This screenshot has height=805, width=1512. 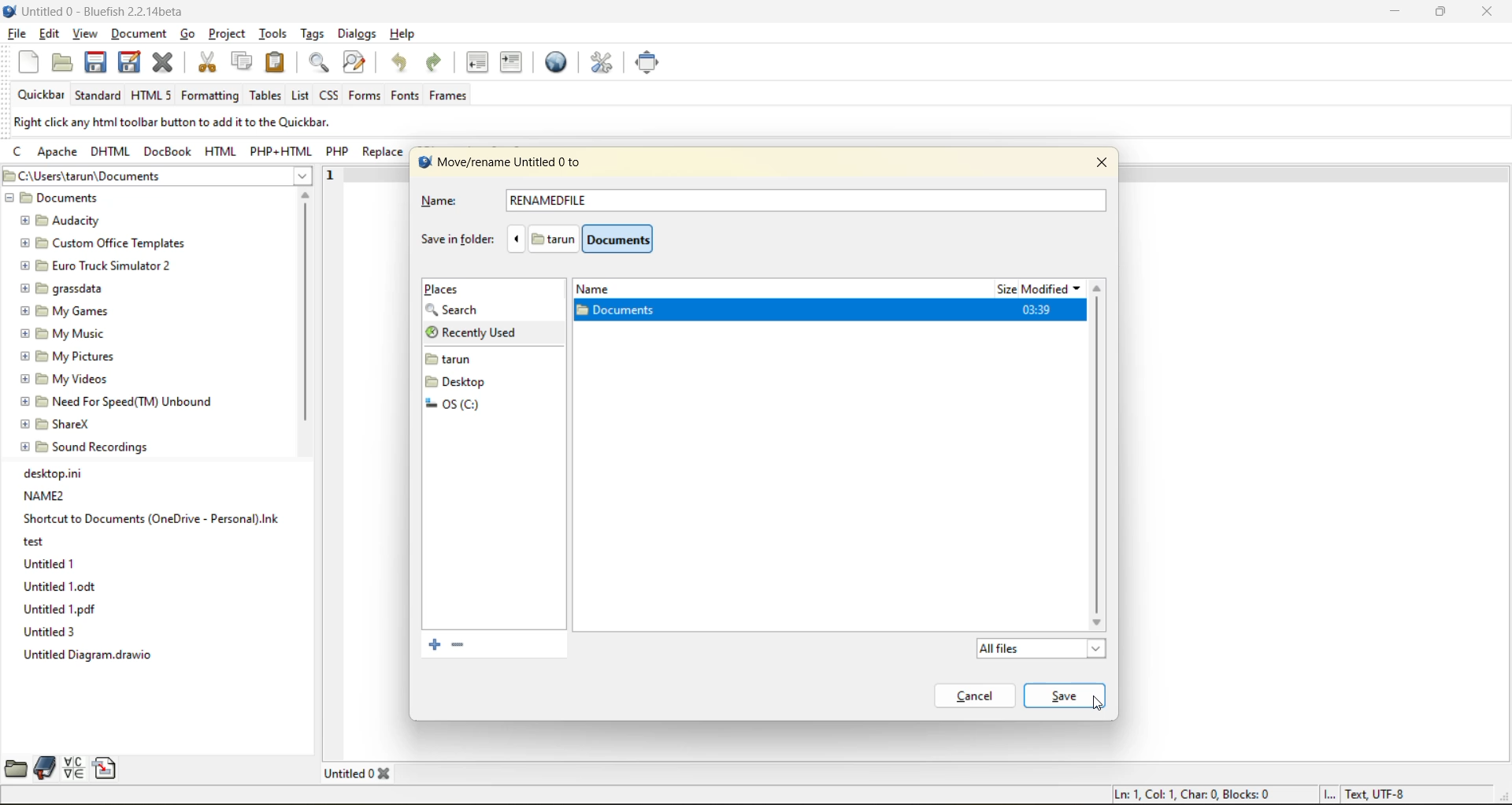 What do you see at coordinates (60, 198) in the screenshot?
I see `Documents` at bounding box center [60, 198].